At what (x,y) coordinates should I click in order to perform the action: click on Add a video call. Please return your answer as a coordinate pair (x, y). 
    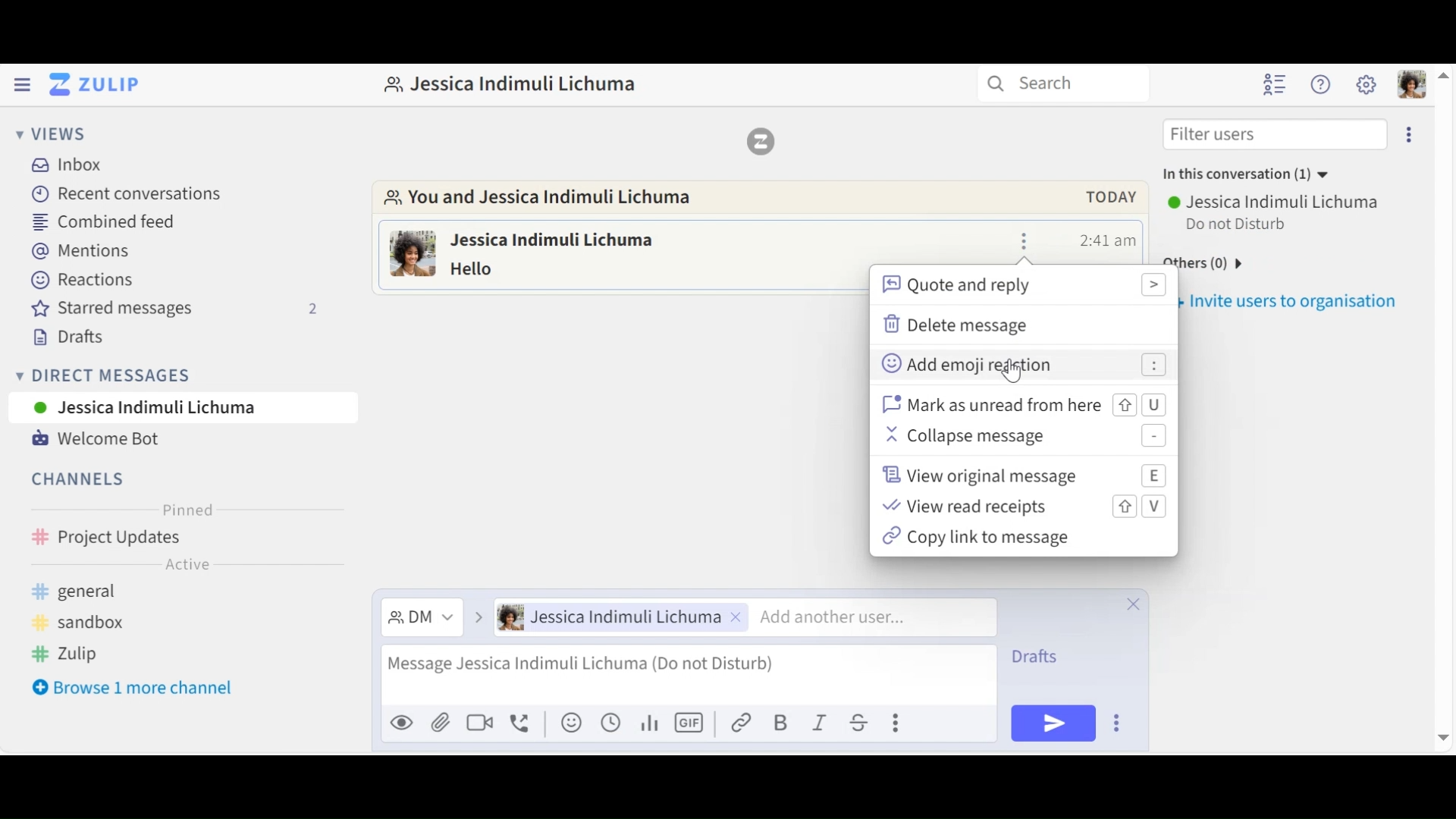
    Looking at the image, I should click on (479, 725).